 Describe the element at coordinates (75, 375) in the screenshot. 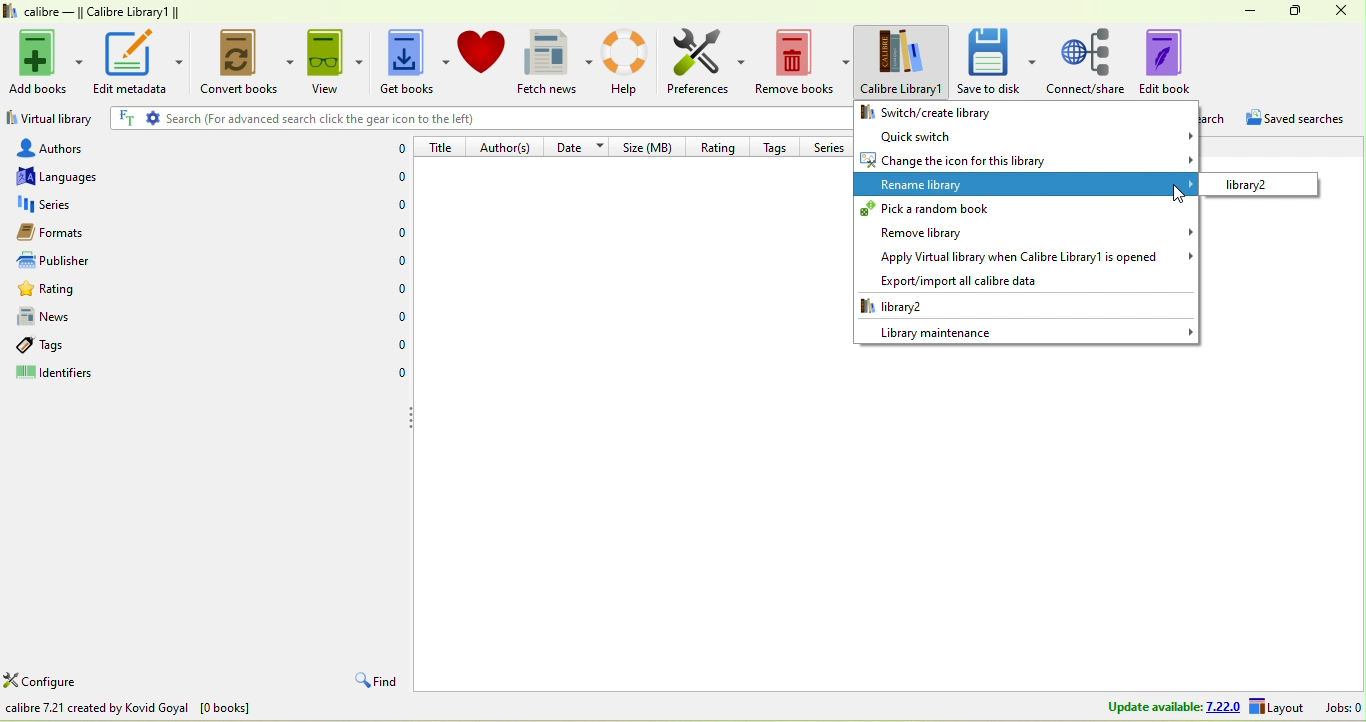

I see `identifiers` at that location.